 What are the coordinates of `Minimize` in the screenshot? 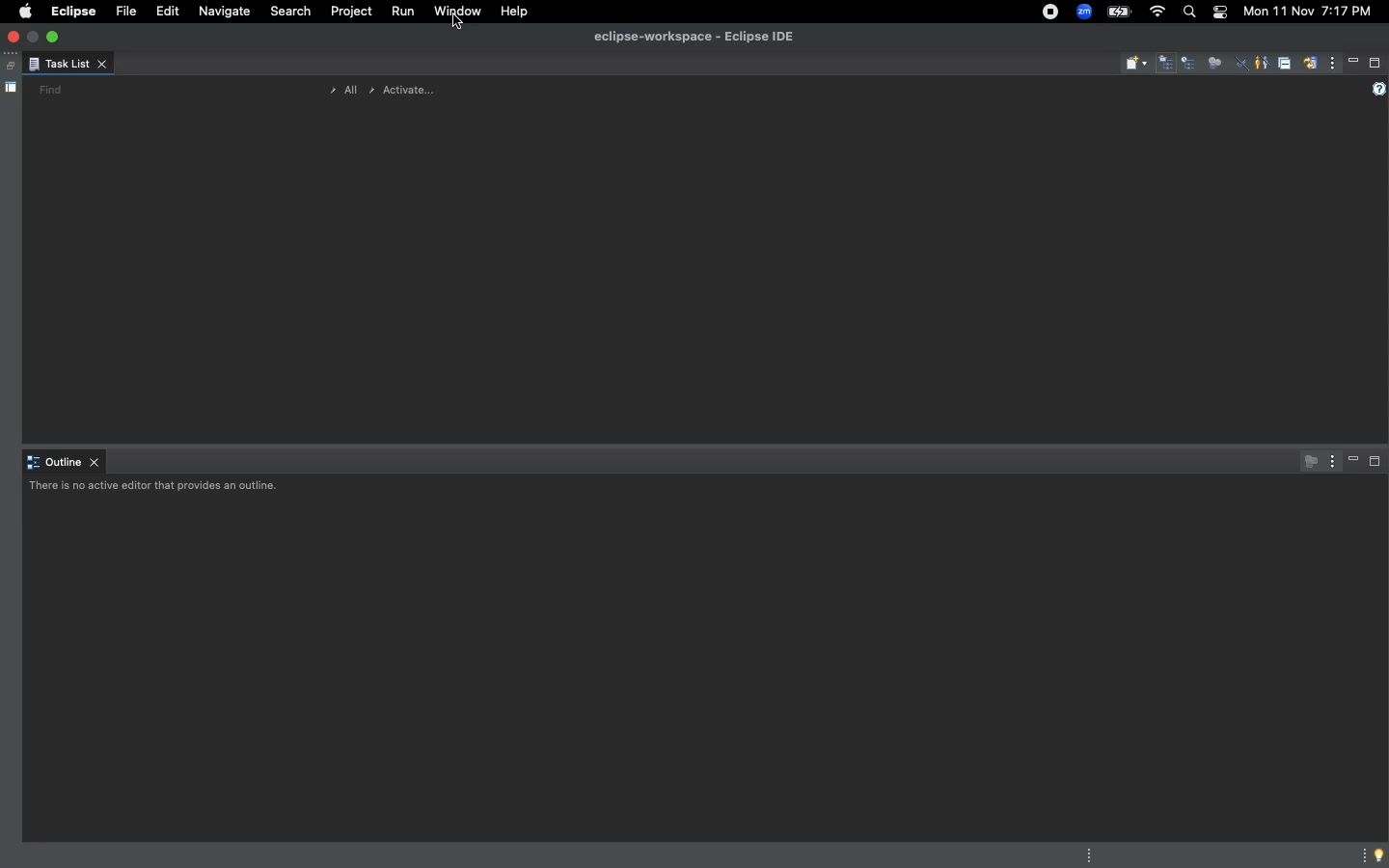 It's located at (1354, 461).